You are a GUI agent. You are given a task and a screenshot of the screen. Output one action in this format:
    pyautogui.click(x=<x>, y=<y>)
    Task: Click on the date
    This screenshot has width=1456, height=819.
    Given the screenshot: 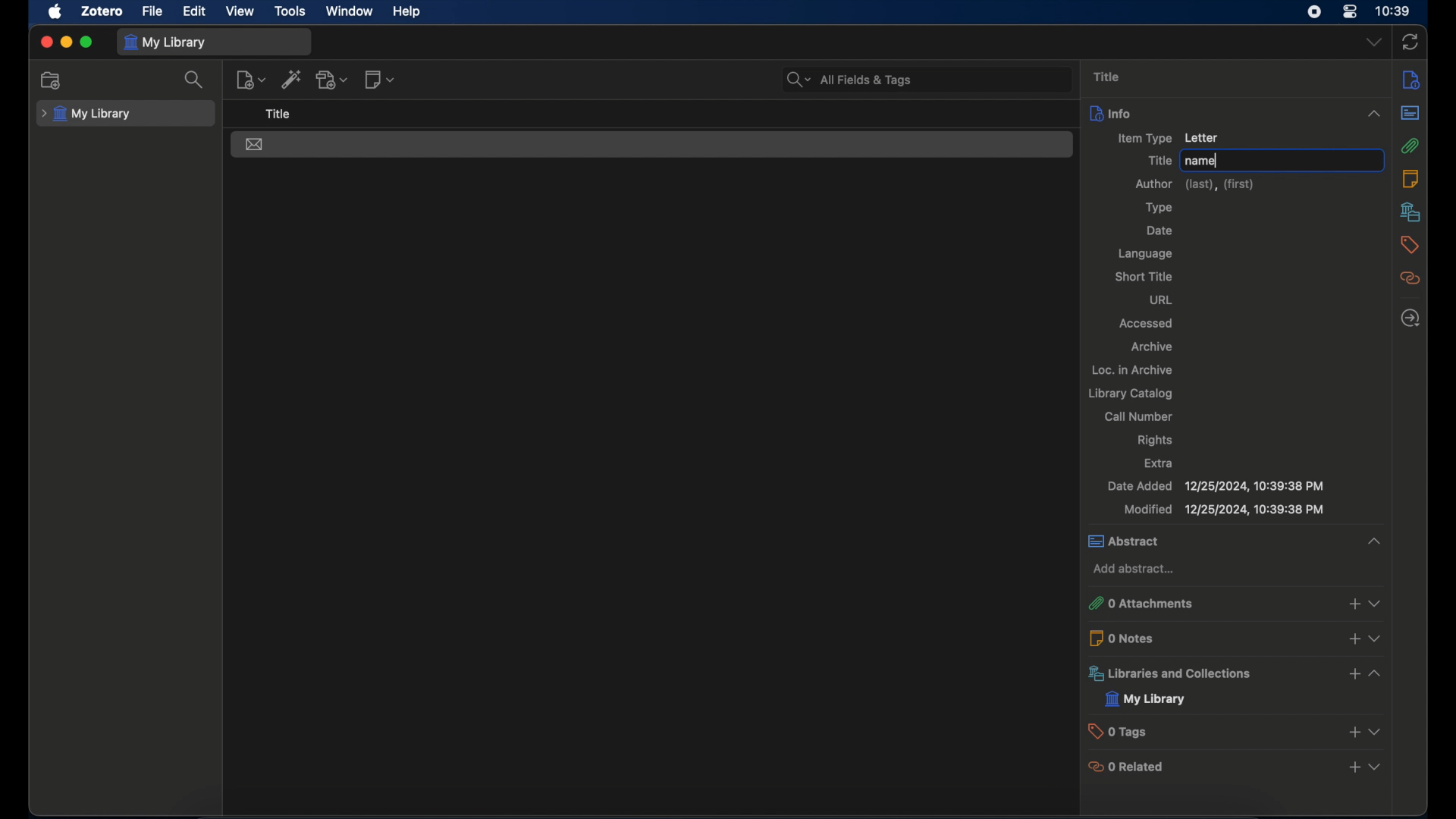 What is the action you would take?
    pyautogui.click(x=1160, y=231)
    